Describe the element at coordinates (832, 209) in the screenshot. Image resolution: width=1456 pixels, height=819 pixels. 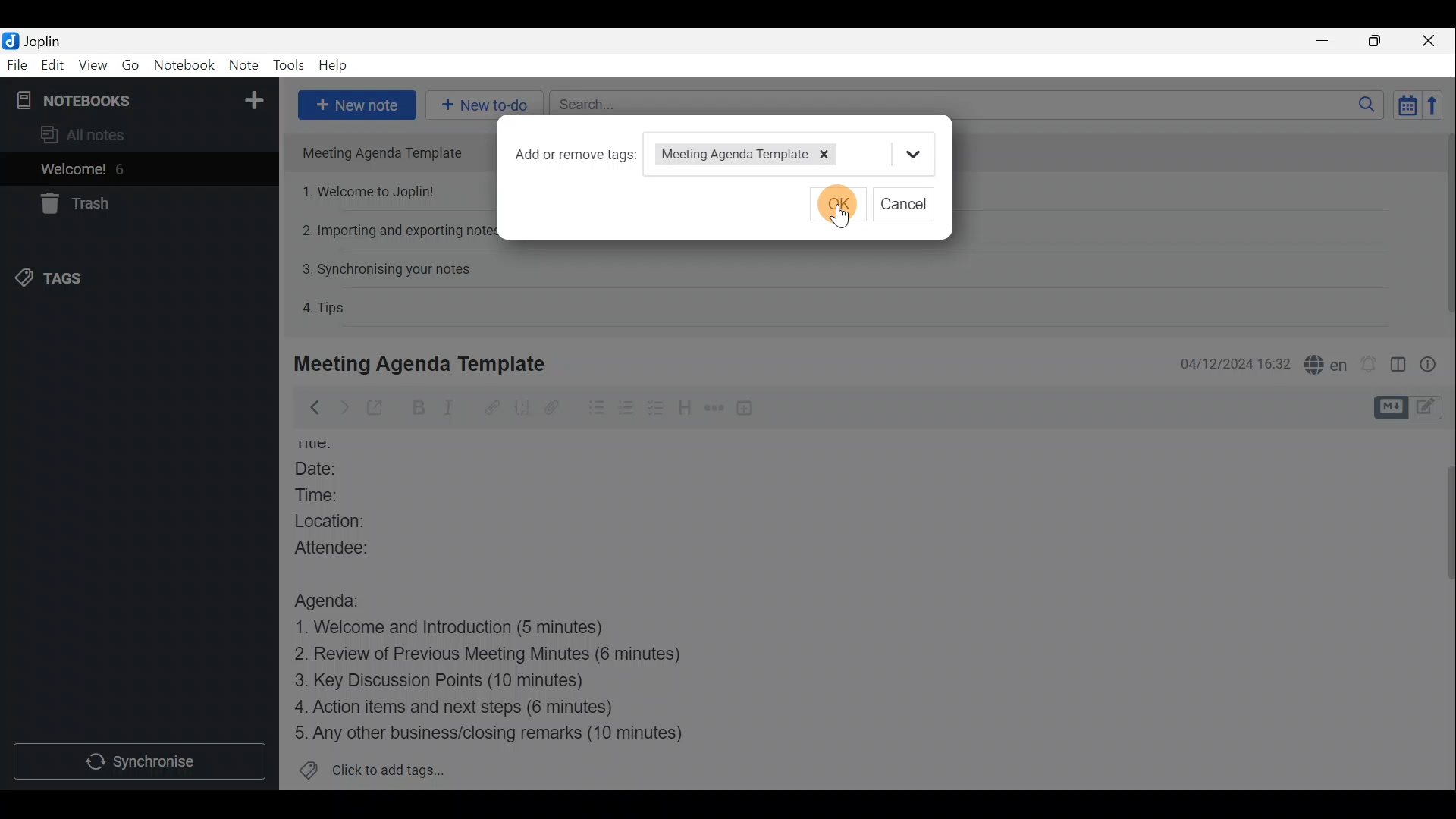
I see `cursor` at that location.